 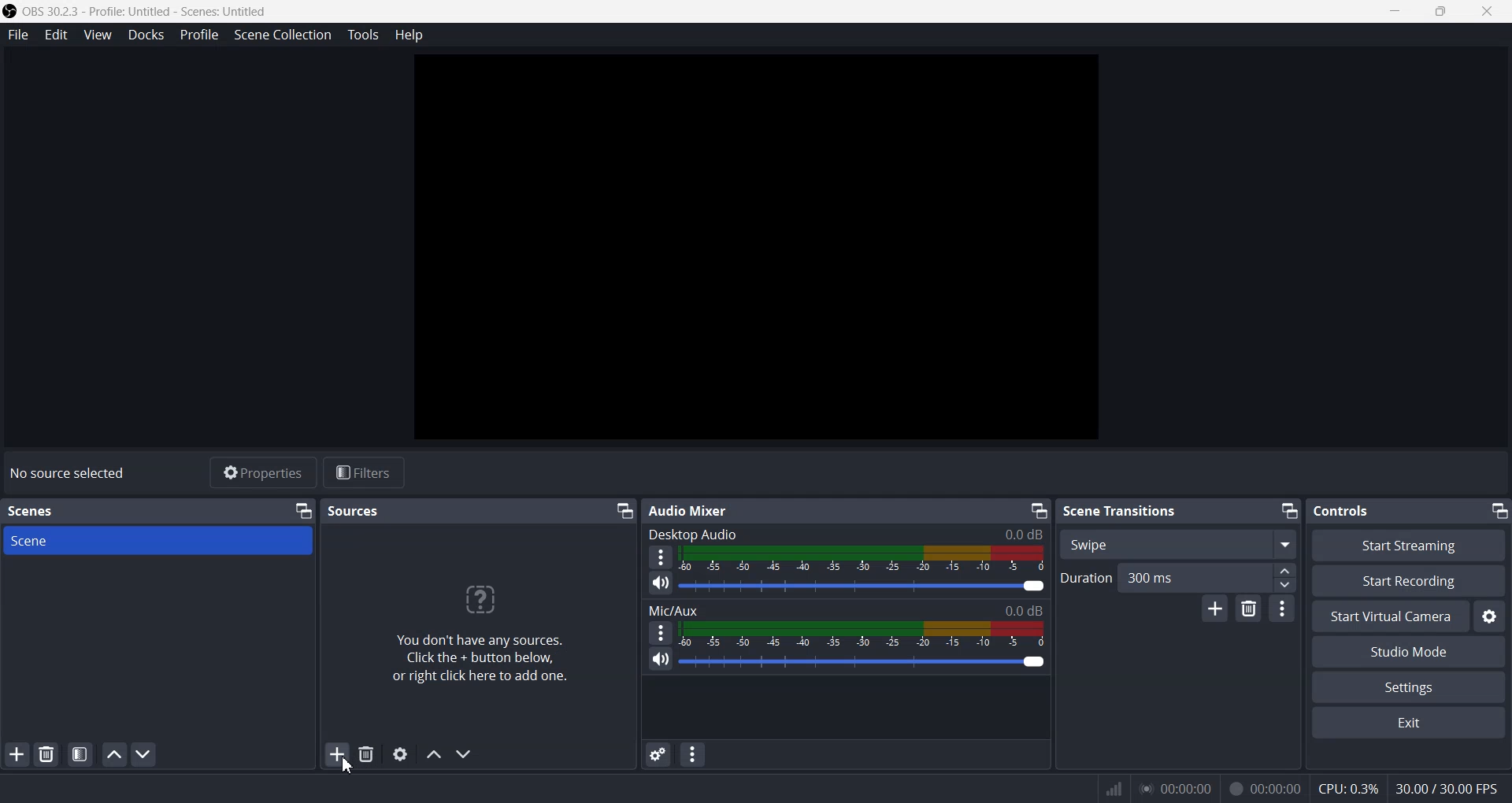 I want to click on Remove Selected Scene, so click(x=46, y=755).